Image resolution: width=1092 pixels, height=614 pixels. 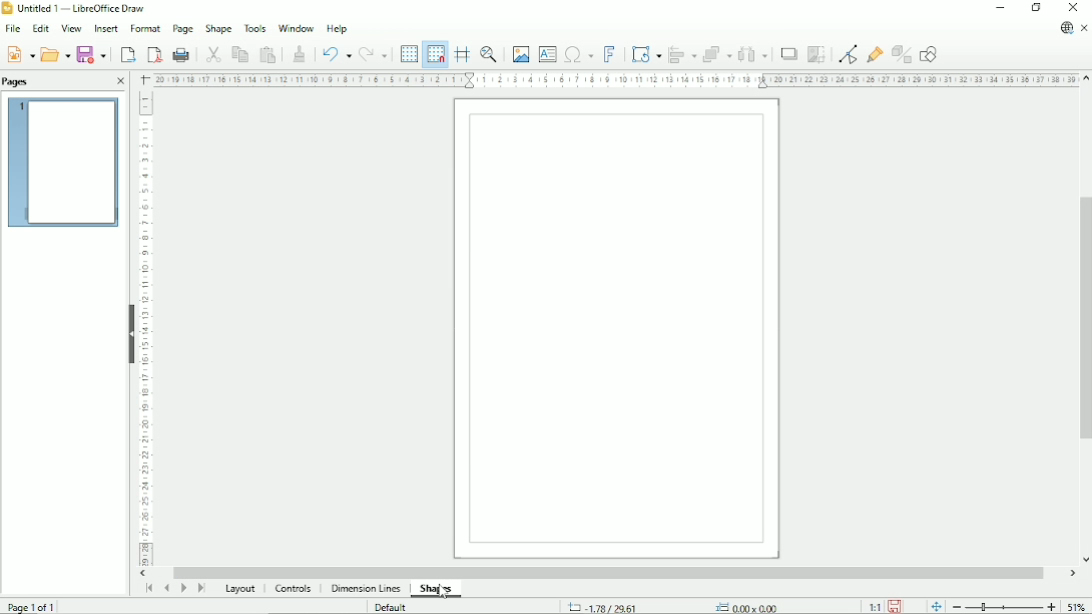 What do you see at coordinates (408, 54) in the screenshot?
I see `Display grid` at bounding box center [408, 54].